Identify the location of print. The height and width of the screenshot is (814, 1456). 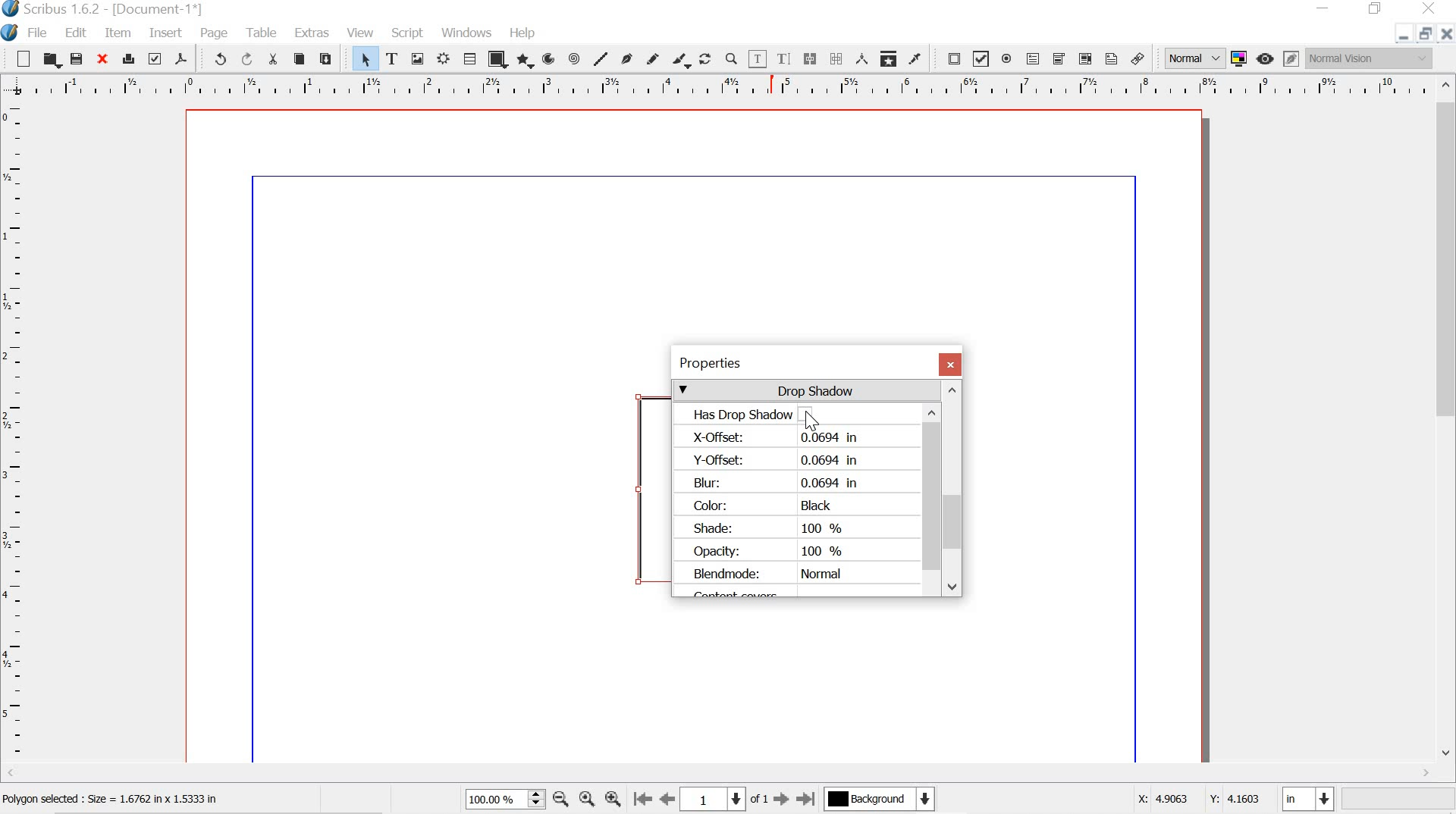
(128, 57).